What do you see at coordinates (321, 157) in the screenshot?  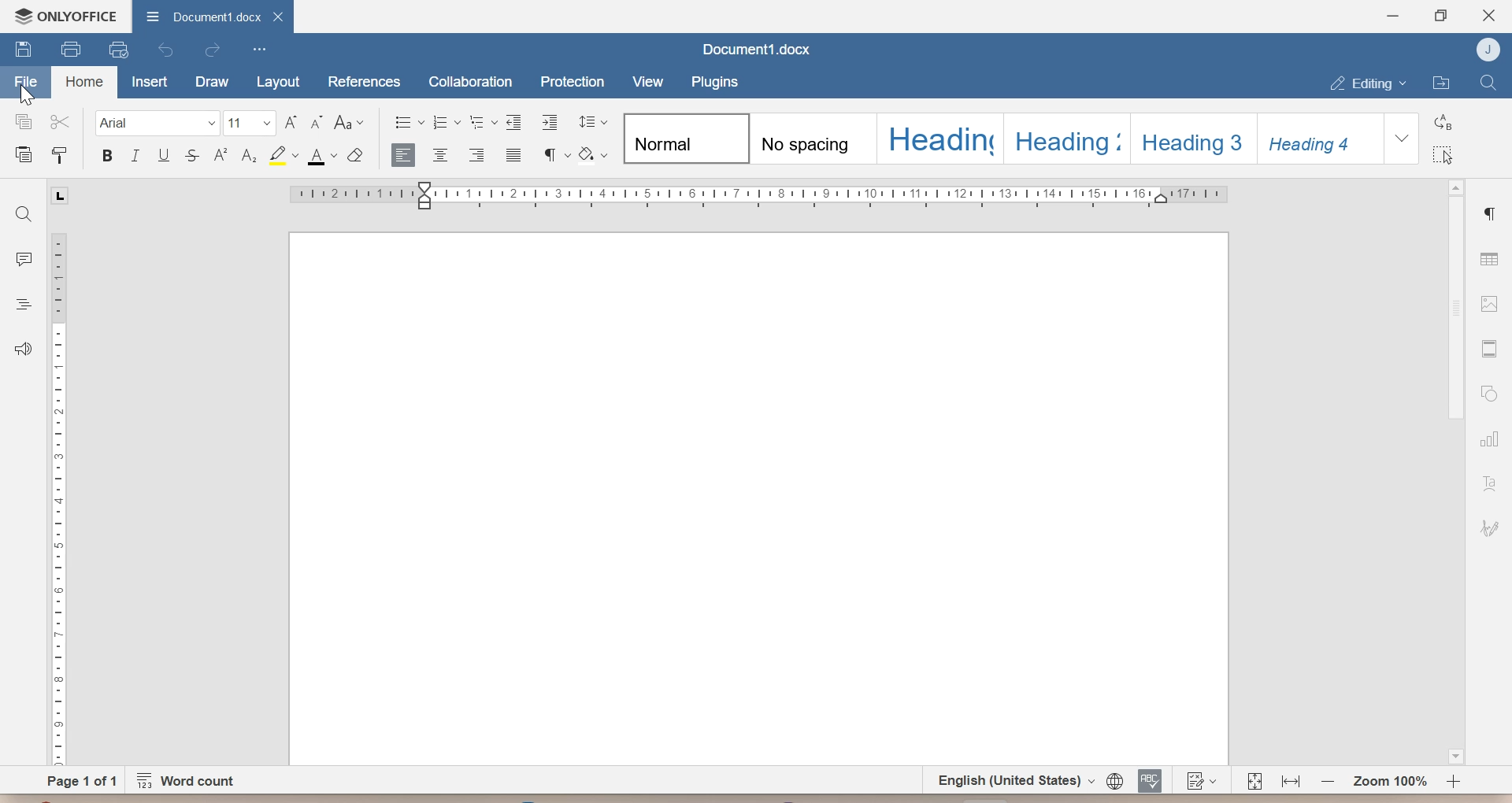 I see `` at bounding box center [321, 157].